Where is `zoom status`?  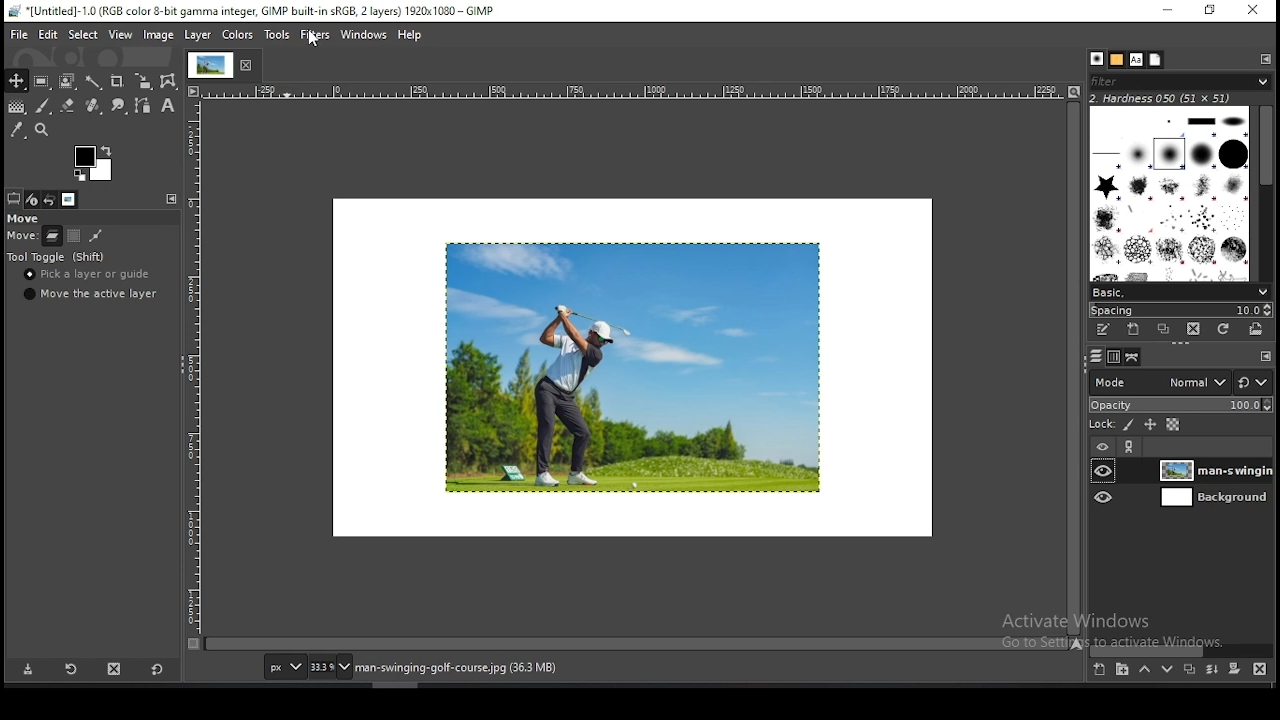 zoom status is located at coordinates (329, 666).